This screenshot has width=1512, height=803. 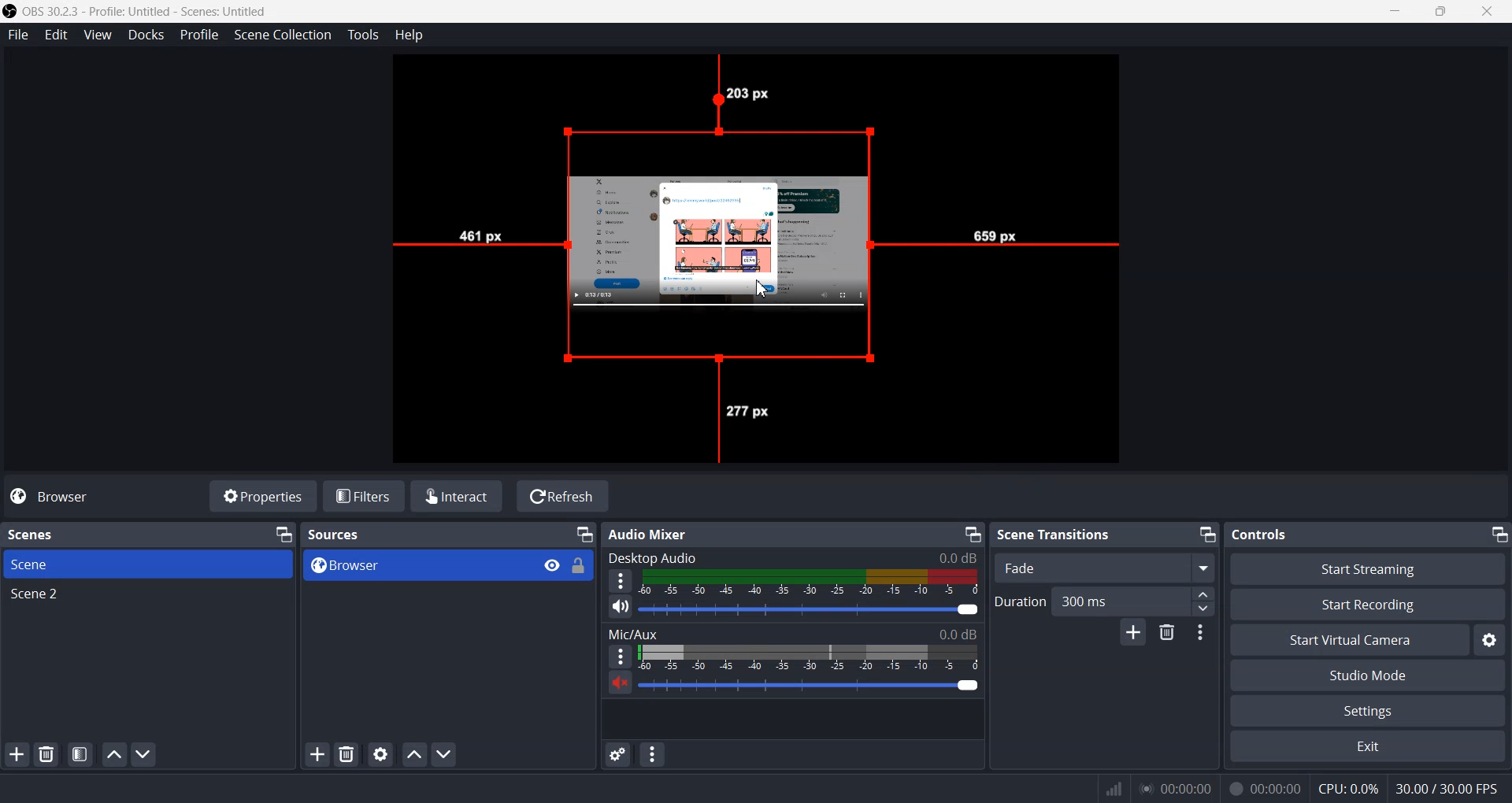 I want to click on Minimize, so click(x=1397, y=13).